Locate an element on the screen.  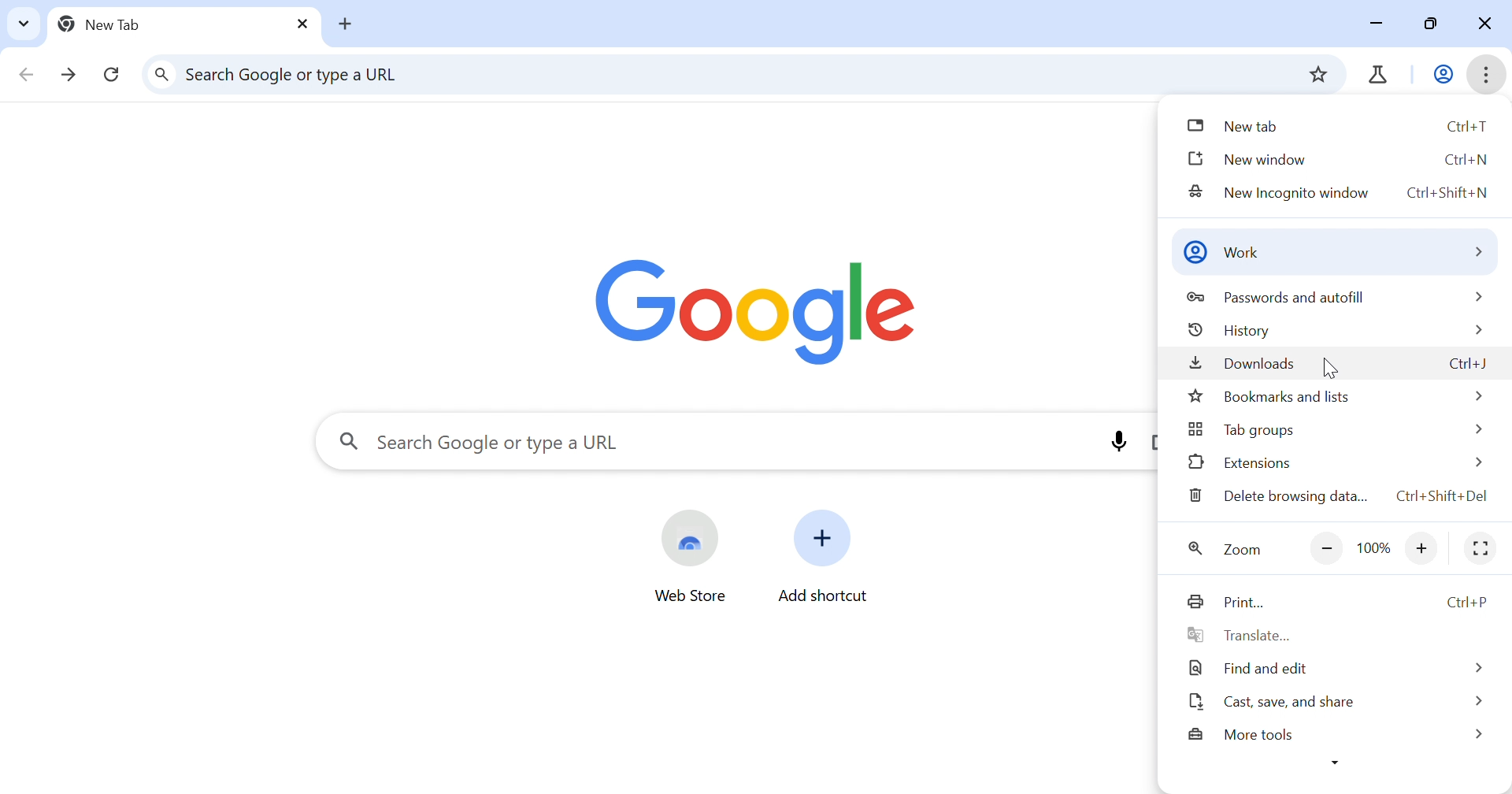
Arrow is located at coordinates (1477, 330).